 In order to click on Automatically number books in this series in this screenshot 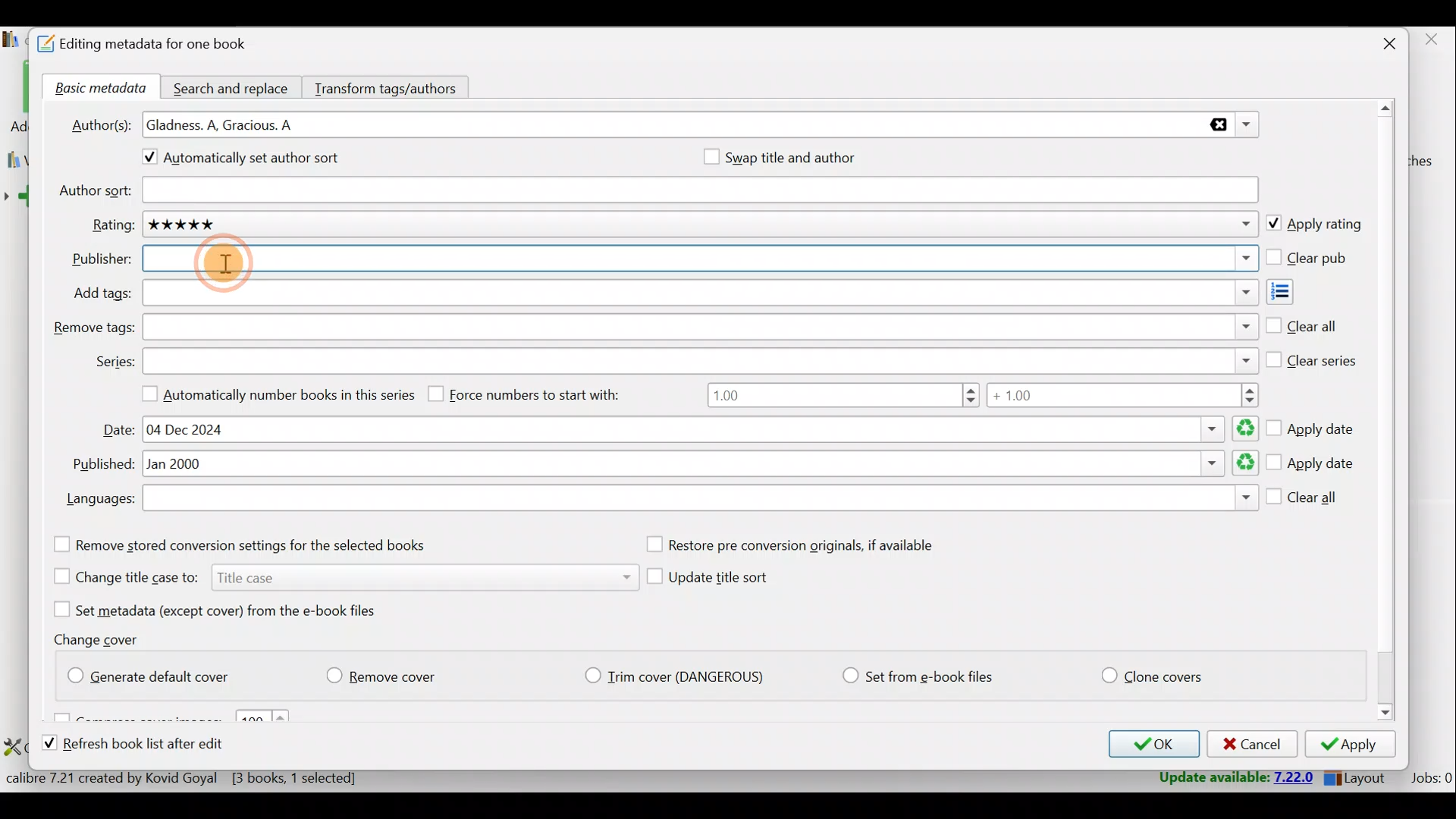, I will do `click(272, 393)`.